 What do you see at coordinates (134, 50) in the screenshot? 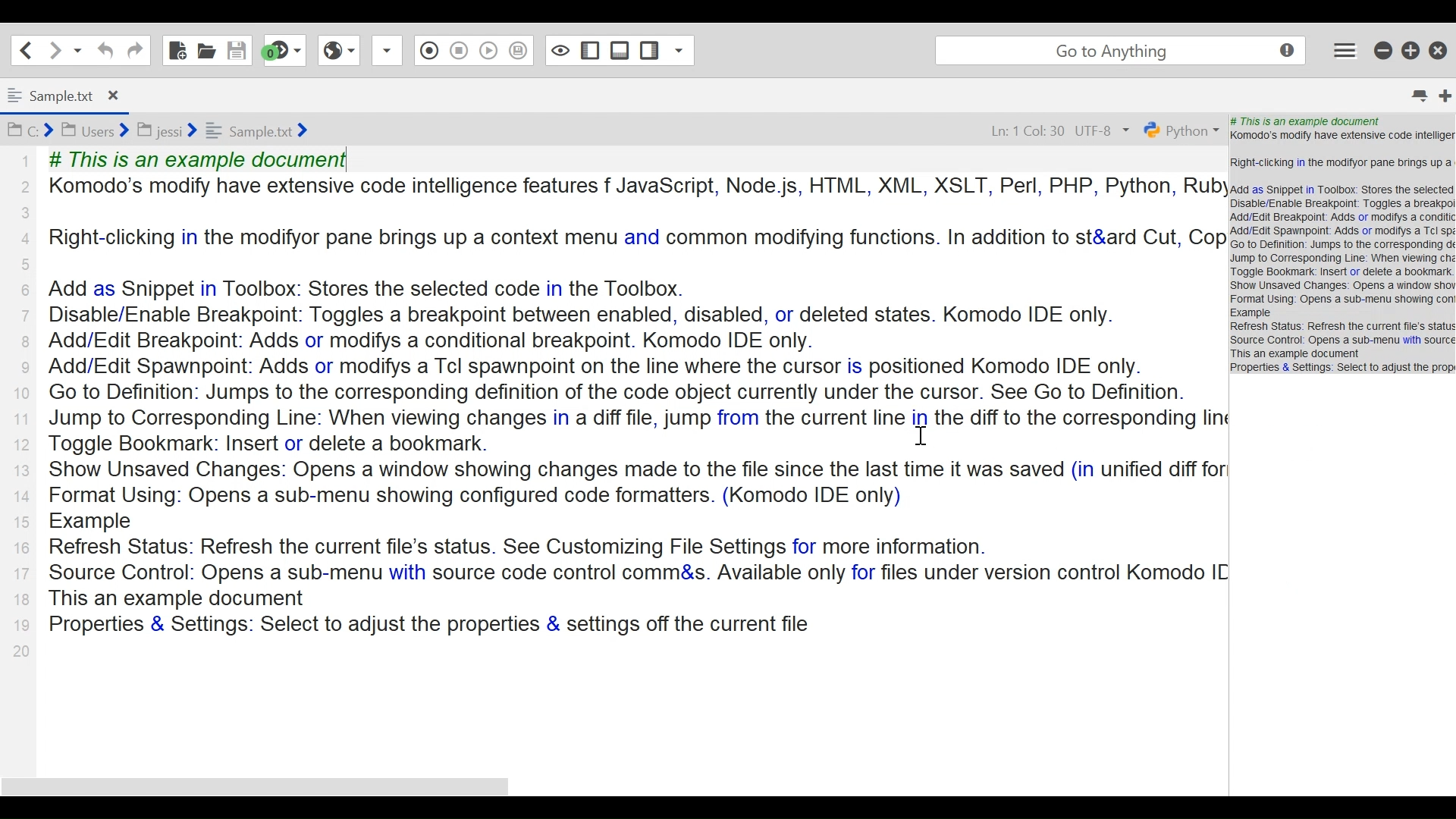
I see `Redo` at bounding box center [134, 50].